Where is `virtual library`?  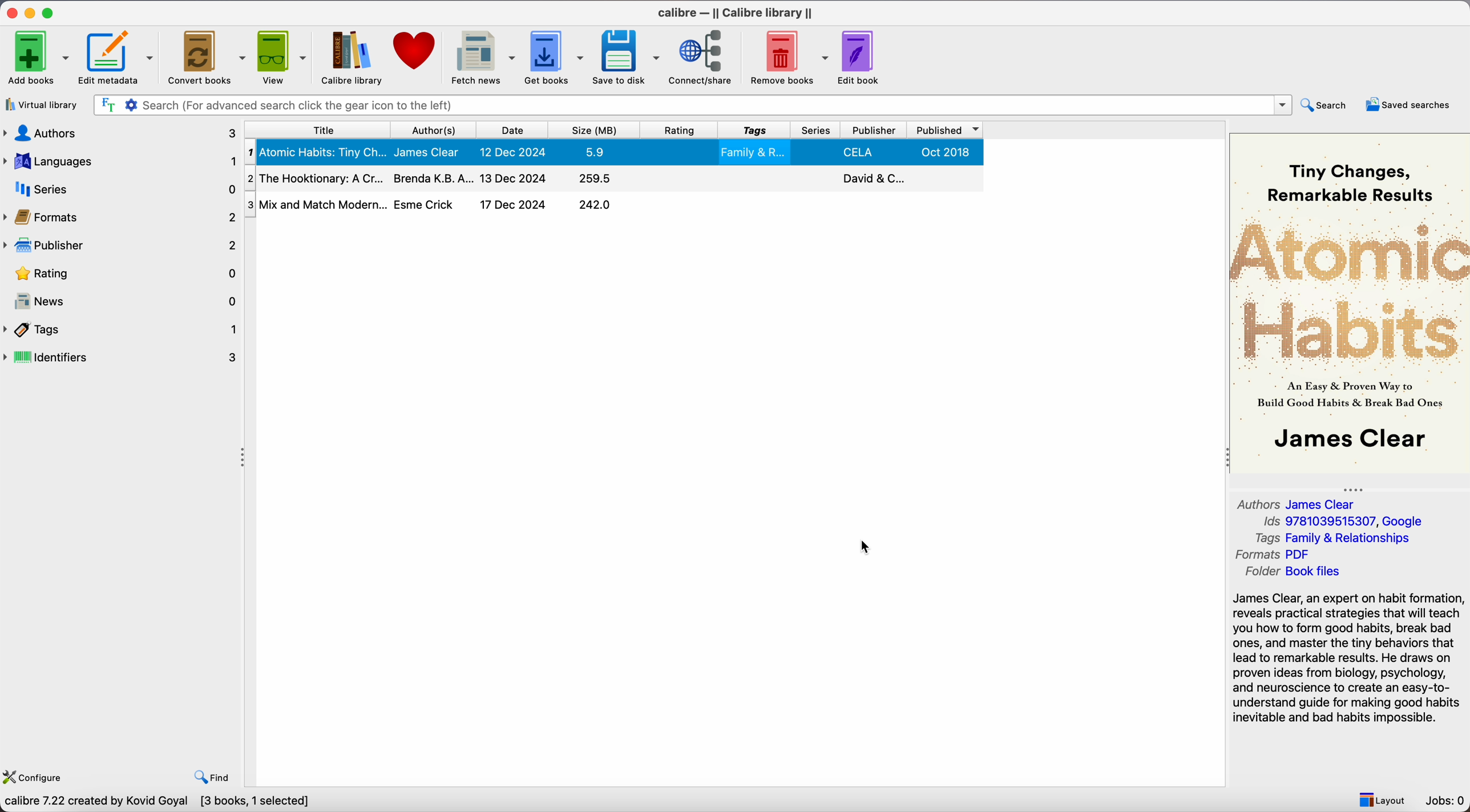
virtual library is located at coordinates (42, 106).